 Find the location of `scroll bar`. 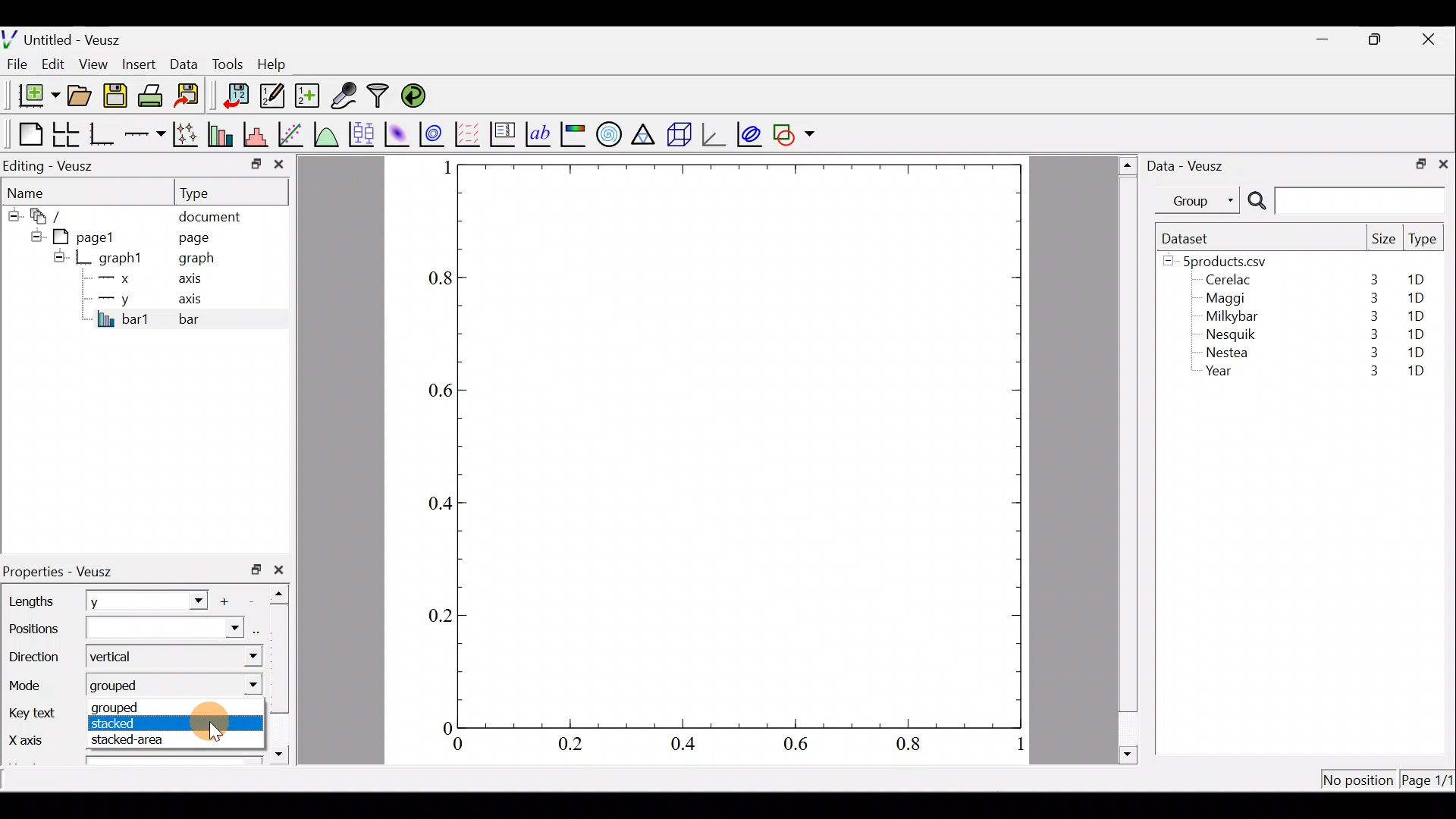

scroll bar is located at coordinates (1128, 457).